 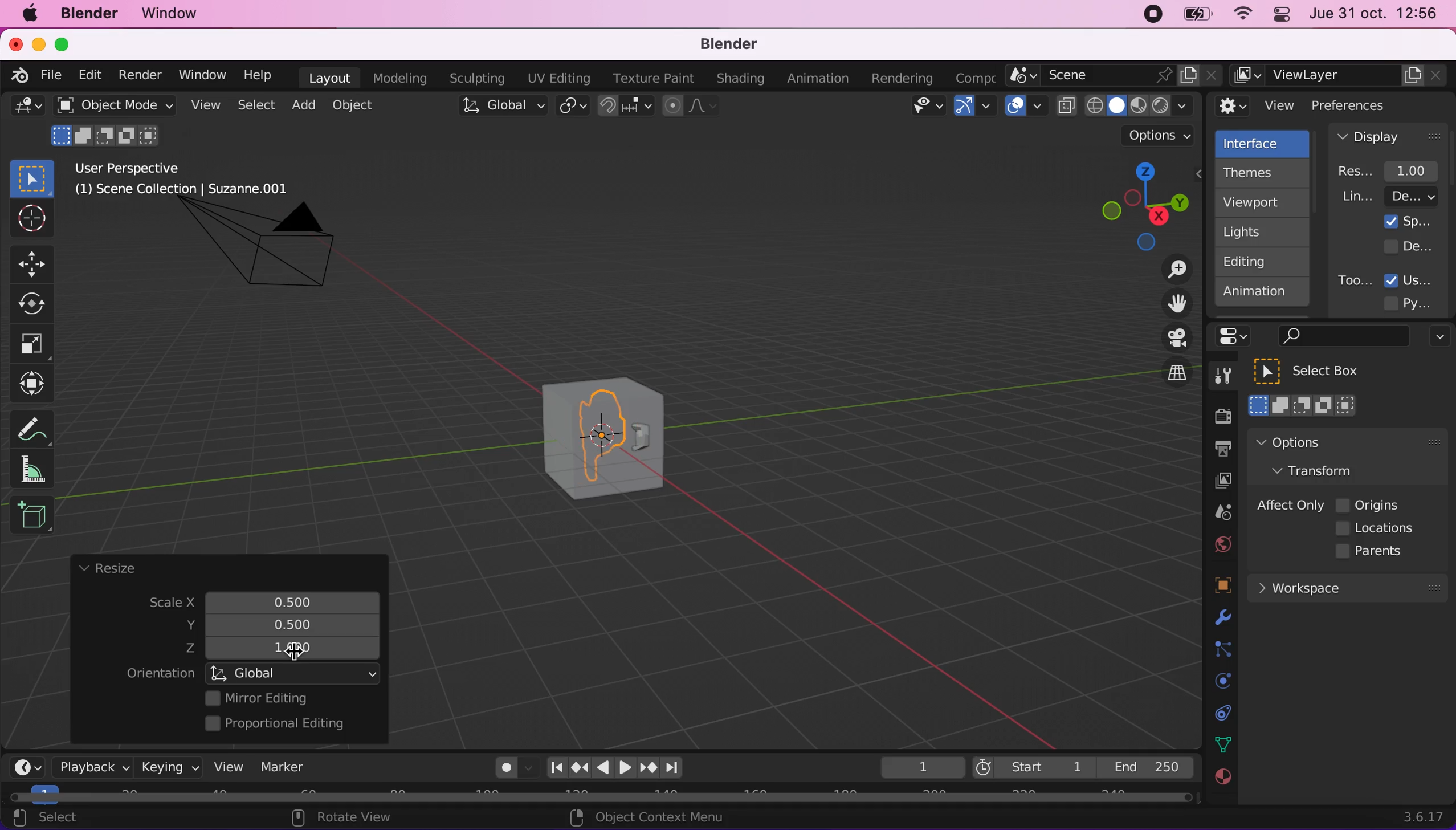 What do you see at coordinates (1261, 173) in the screenshot?
I see `themes` at bounding box center [1261, 173].